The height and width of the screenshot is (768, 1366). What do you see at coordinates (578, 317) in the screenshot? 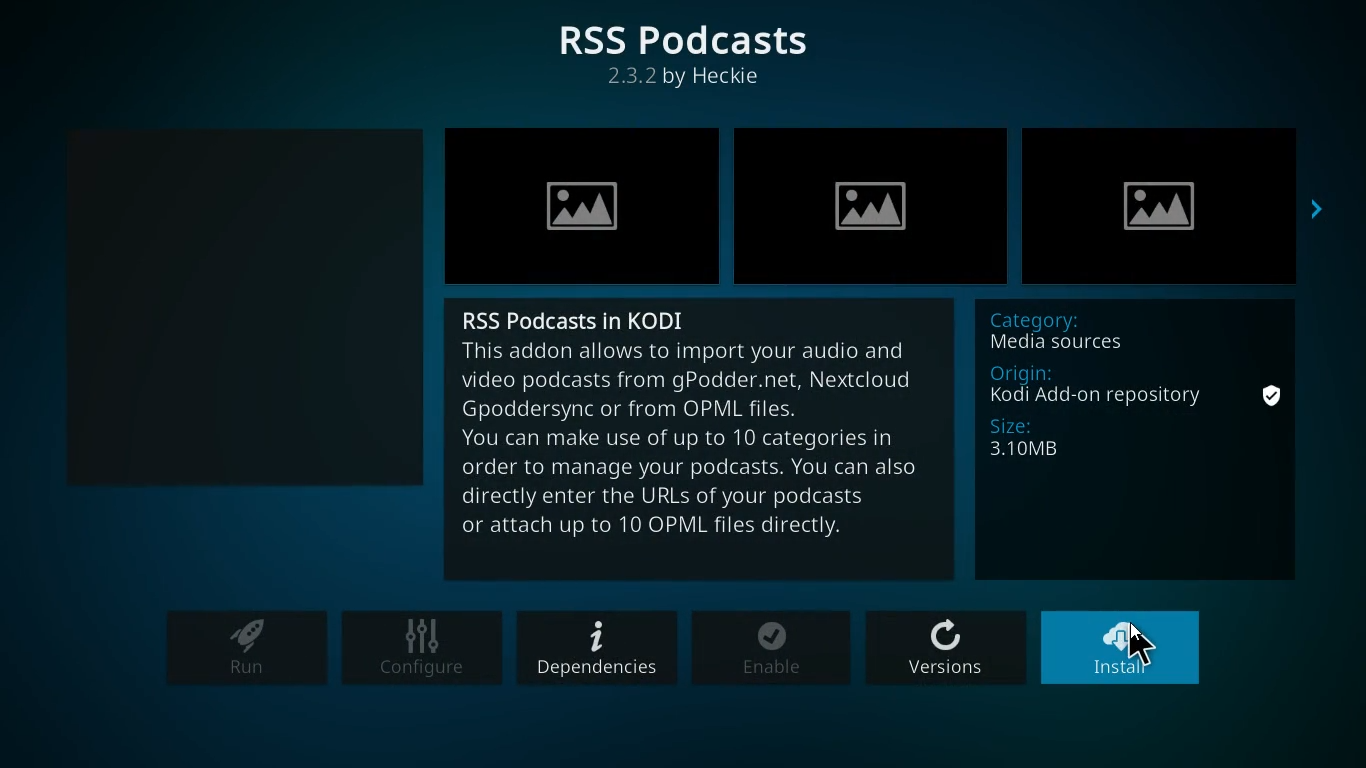
I see `podcast name` at bounding box center [578, 317].